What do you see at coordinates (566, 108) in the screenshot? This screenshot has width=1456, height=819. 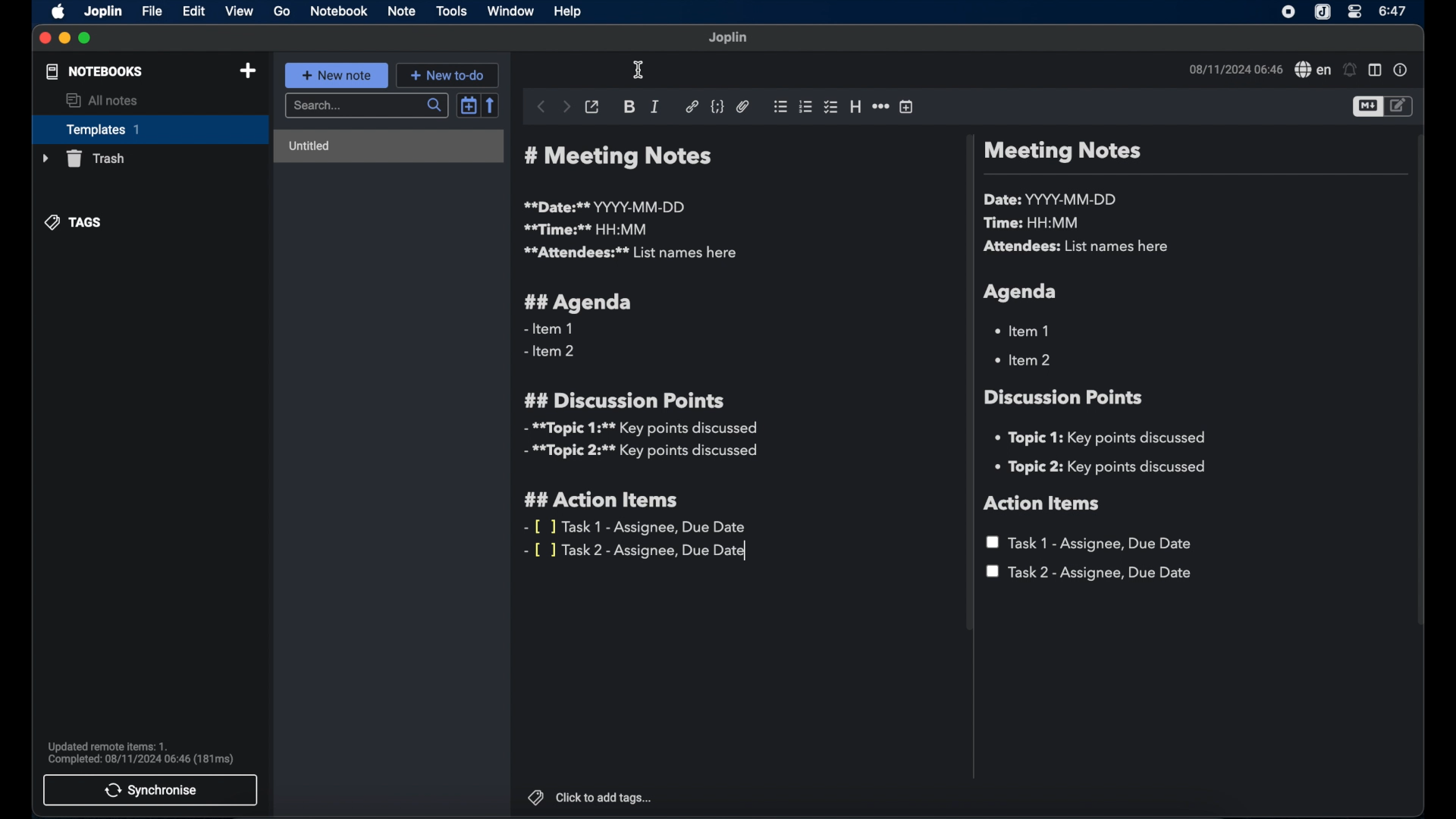 I see `forward` at bounding box center [566, 108].